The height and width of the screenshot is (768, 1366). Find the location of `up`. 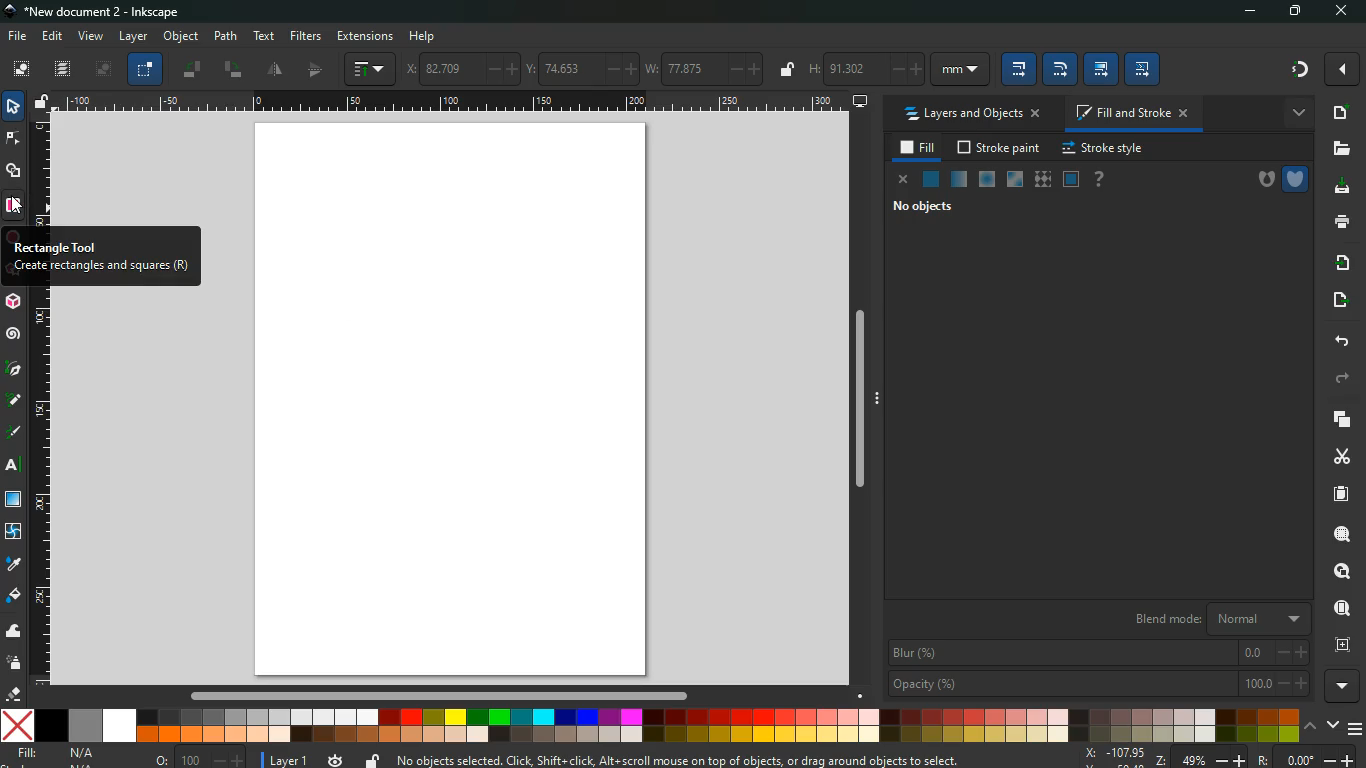

up is located at coordinates (1311, 727).